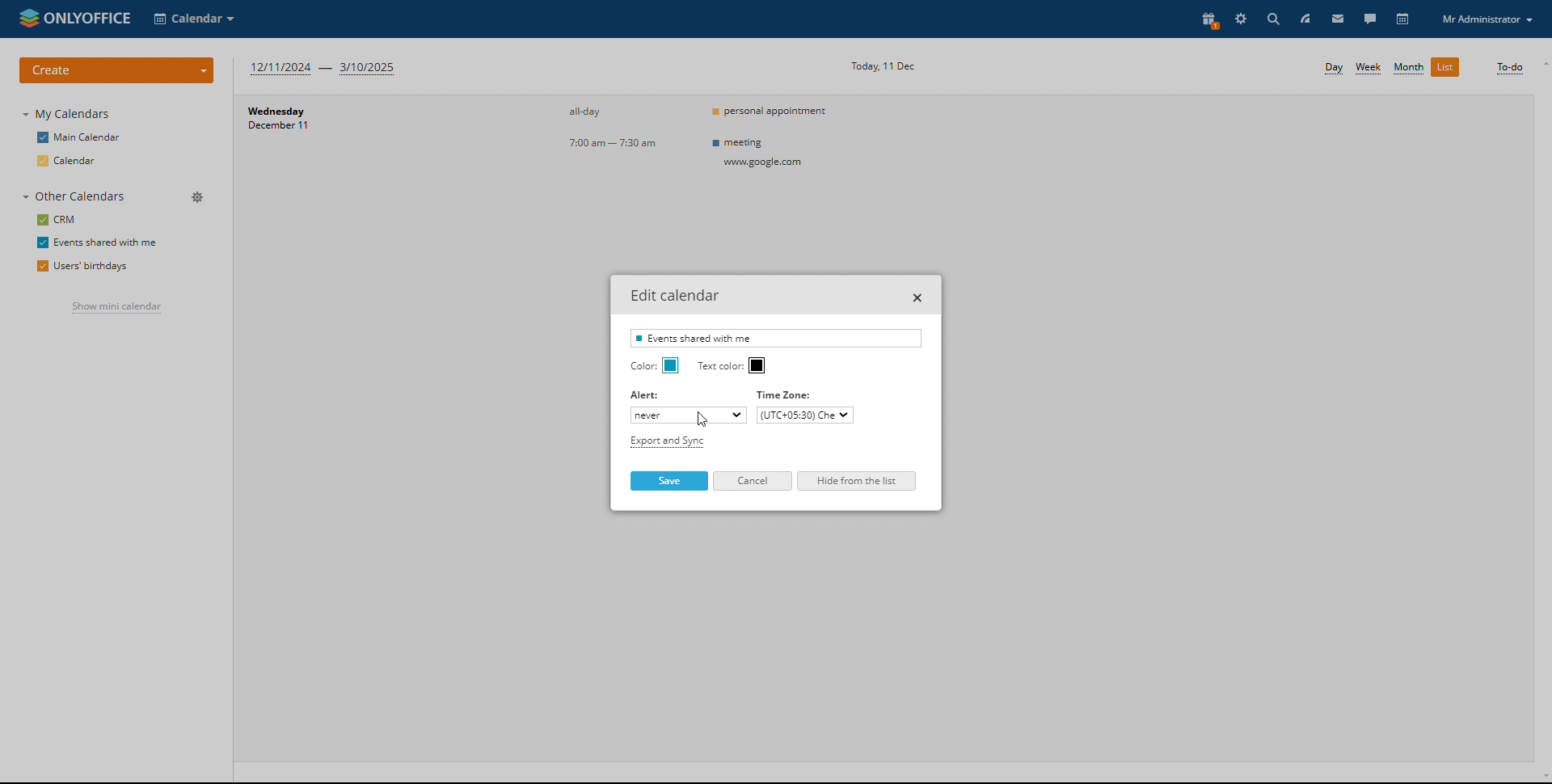  I want to click on close, so click(918, 297).